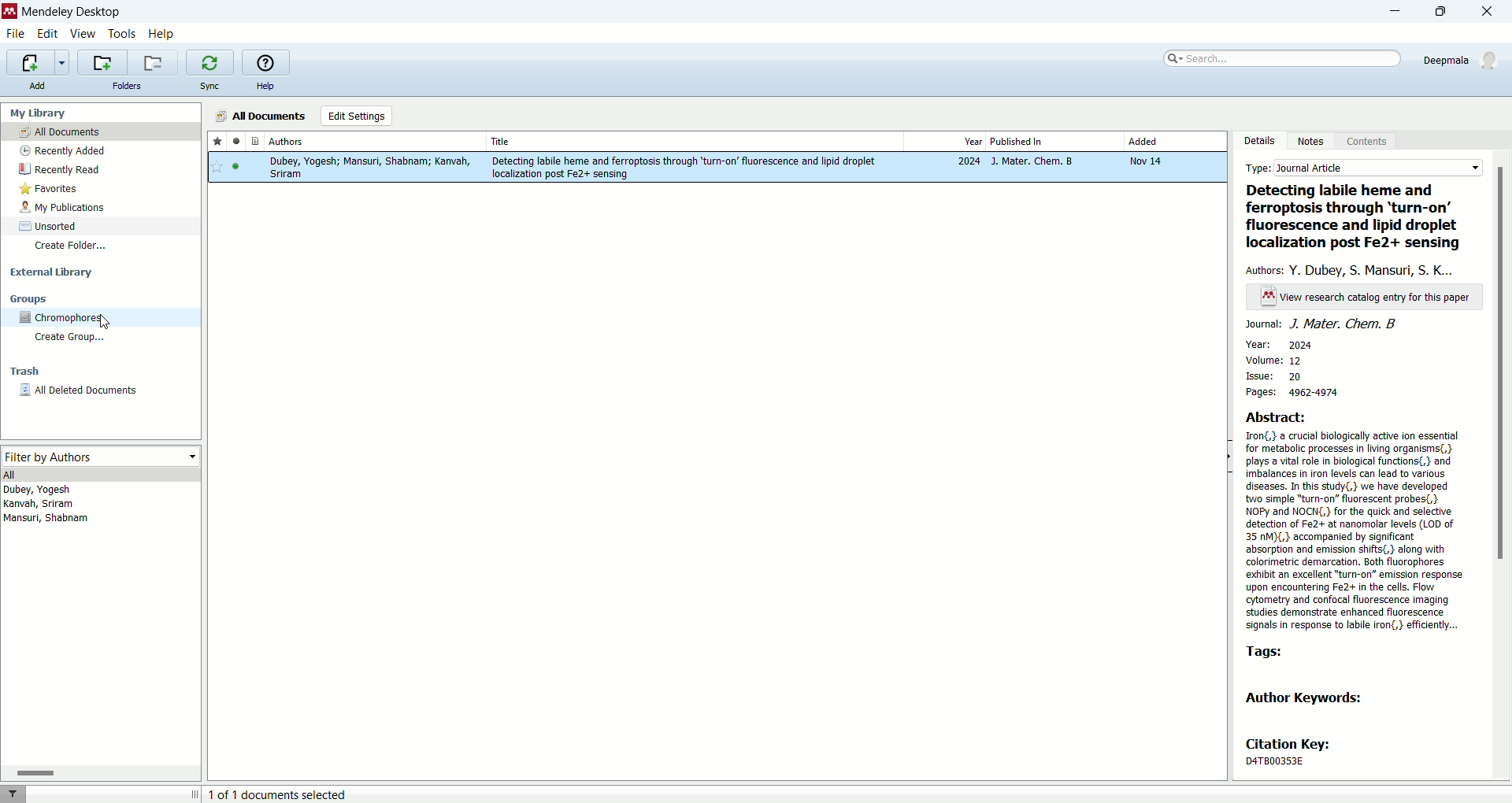 The height and width of the screenshot is (803, 1512). What do you see at coordinates (64, 150) in the screenshot?
I see `recently added` at bounding box center [64, 150].